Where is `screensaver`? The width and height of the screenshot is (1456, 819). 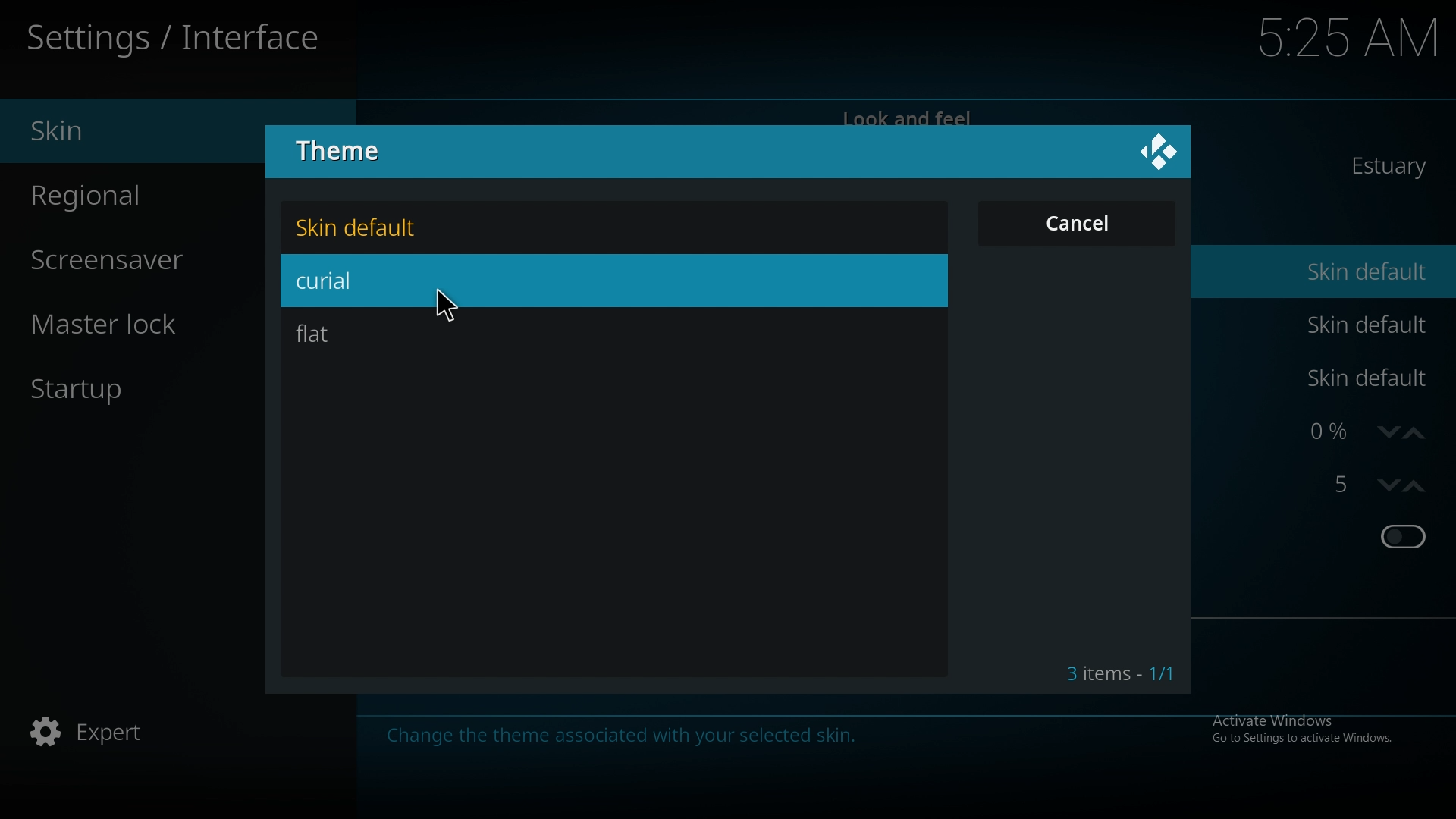 screensaver is located at coordinates (136, 262).